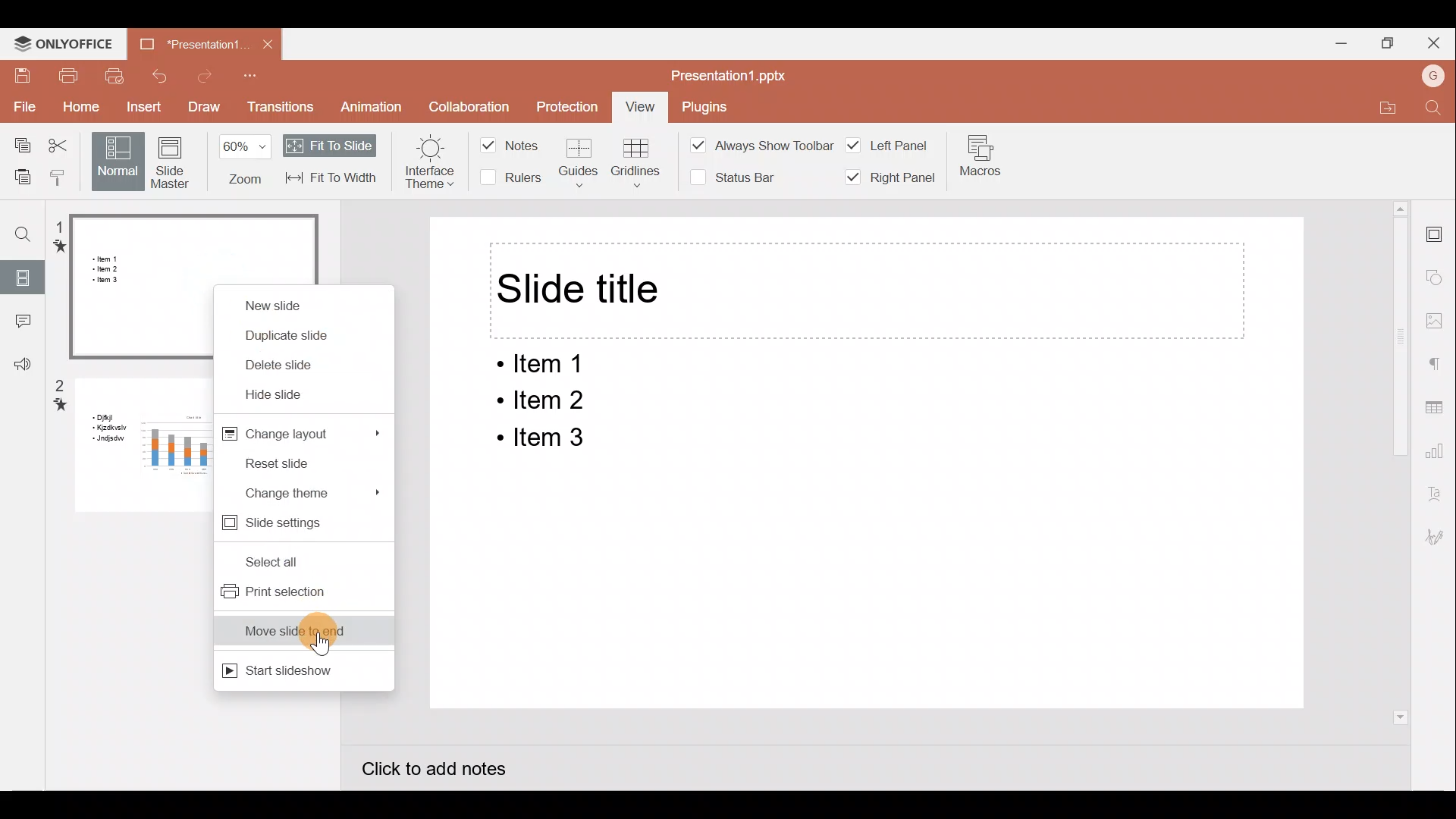  What do you see at coordinates (714, 106) in the screenshot?
I see `Plugins` at bounding box center [714, 106].